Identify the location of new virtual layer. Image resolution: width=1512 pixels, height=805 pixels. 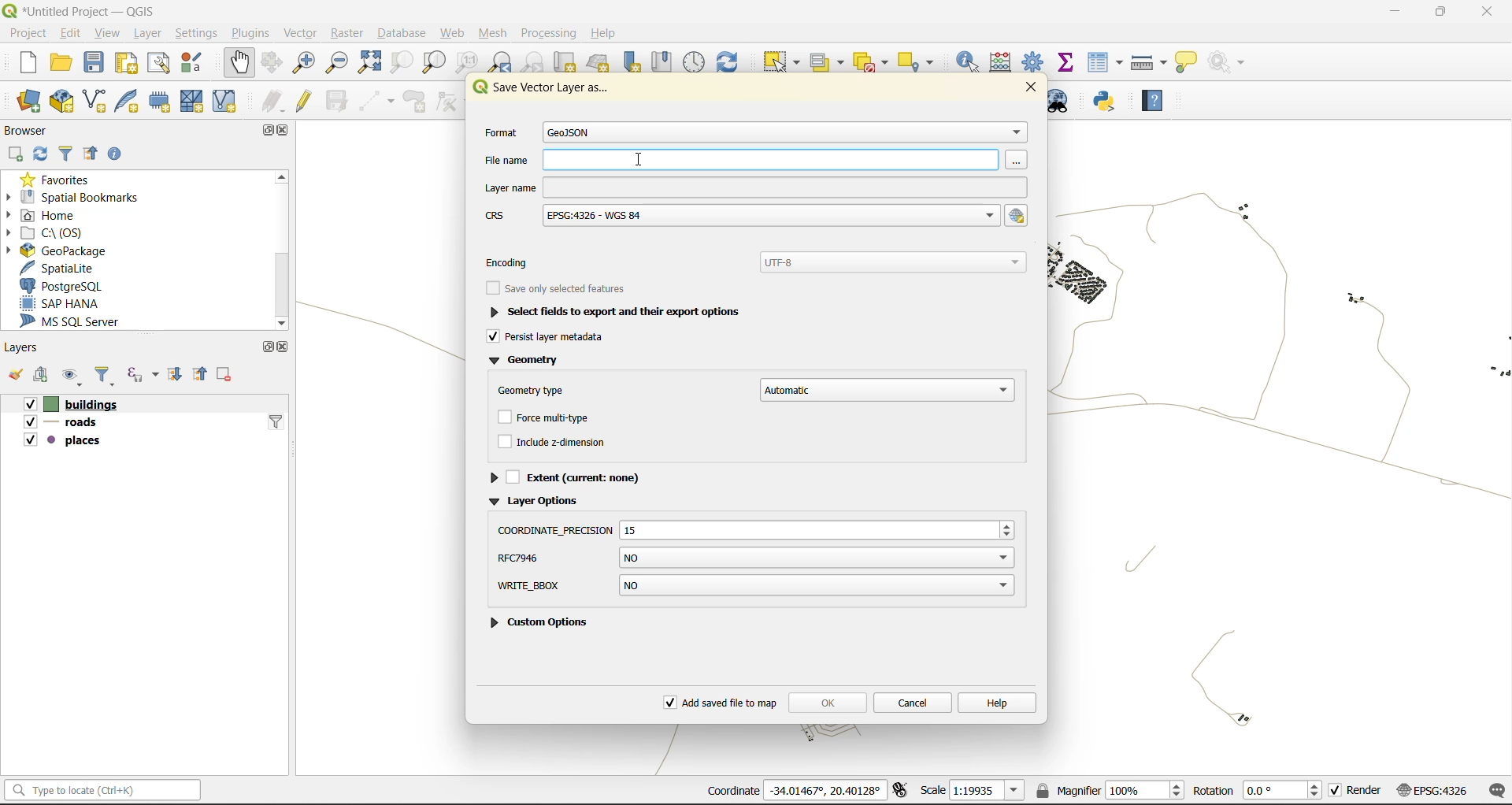
(223, 102).